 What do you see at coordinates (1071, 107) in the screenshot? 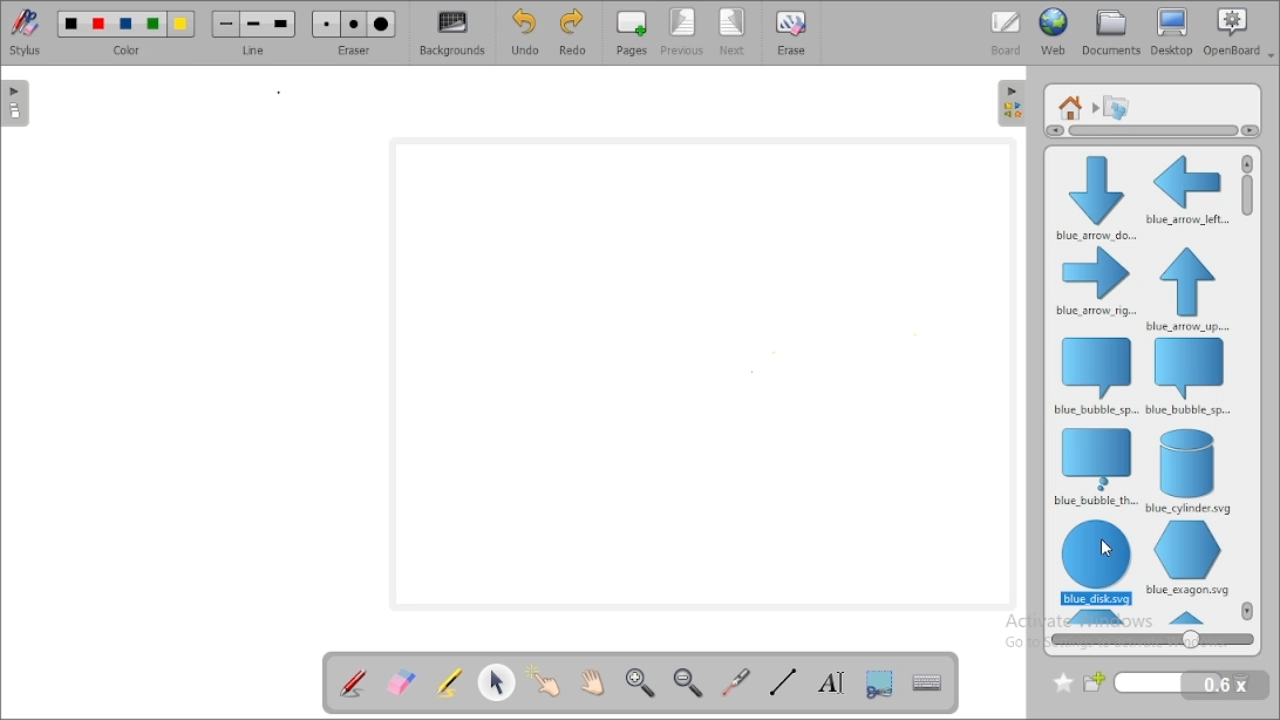
I see `root` at bounding box center [1071, 107].